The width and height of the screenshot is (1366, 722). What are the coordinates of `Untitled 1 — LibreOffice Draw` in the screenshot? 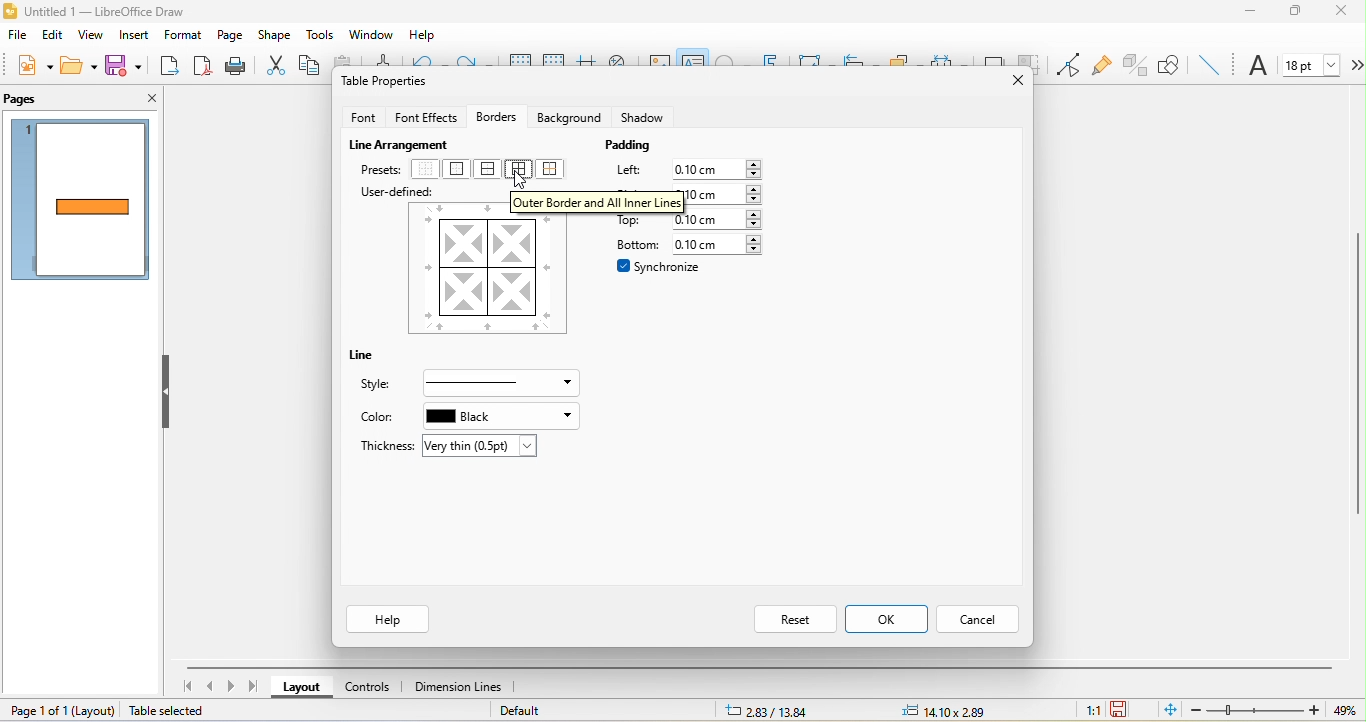 It's located at (94, 10).